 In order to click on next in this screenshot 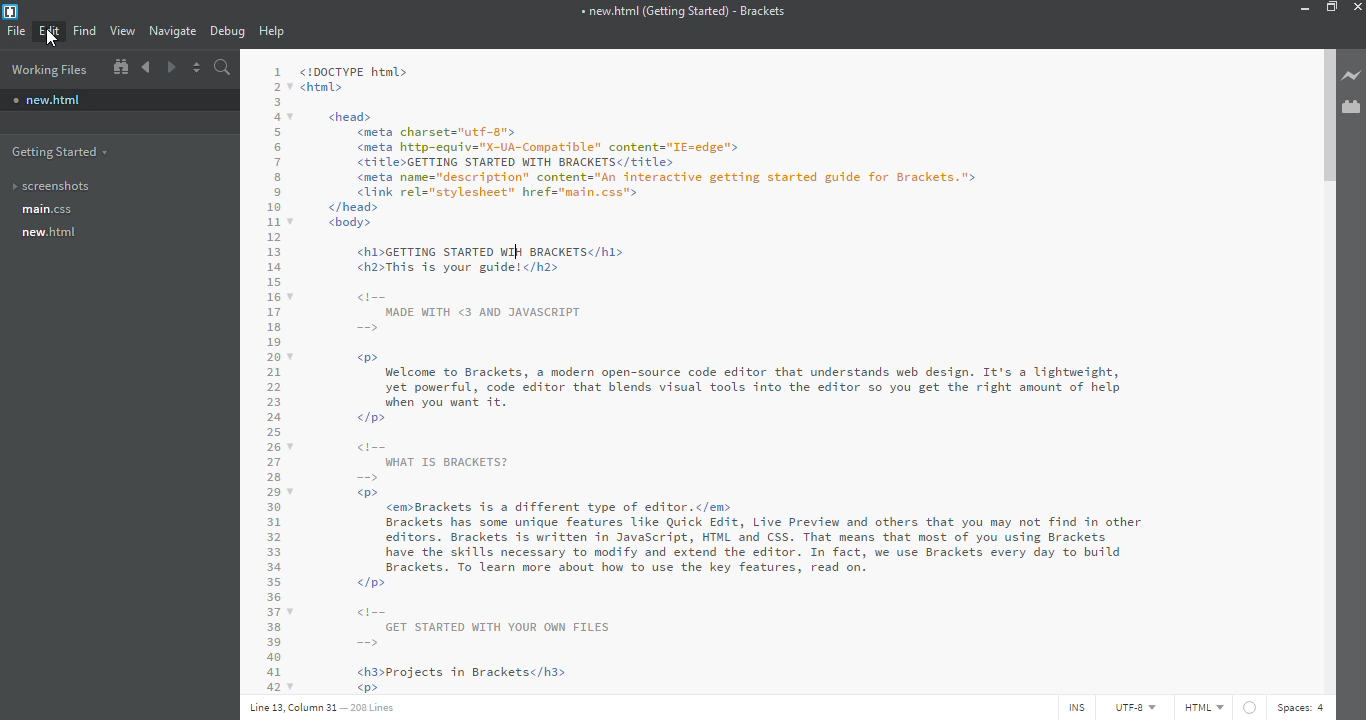, I will do `click(170, 67)`.